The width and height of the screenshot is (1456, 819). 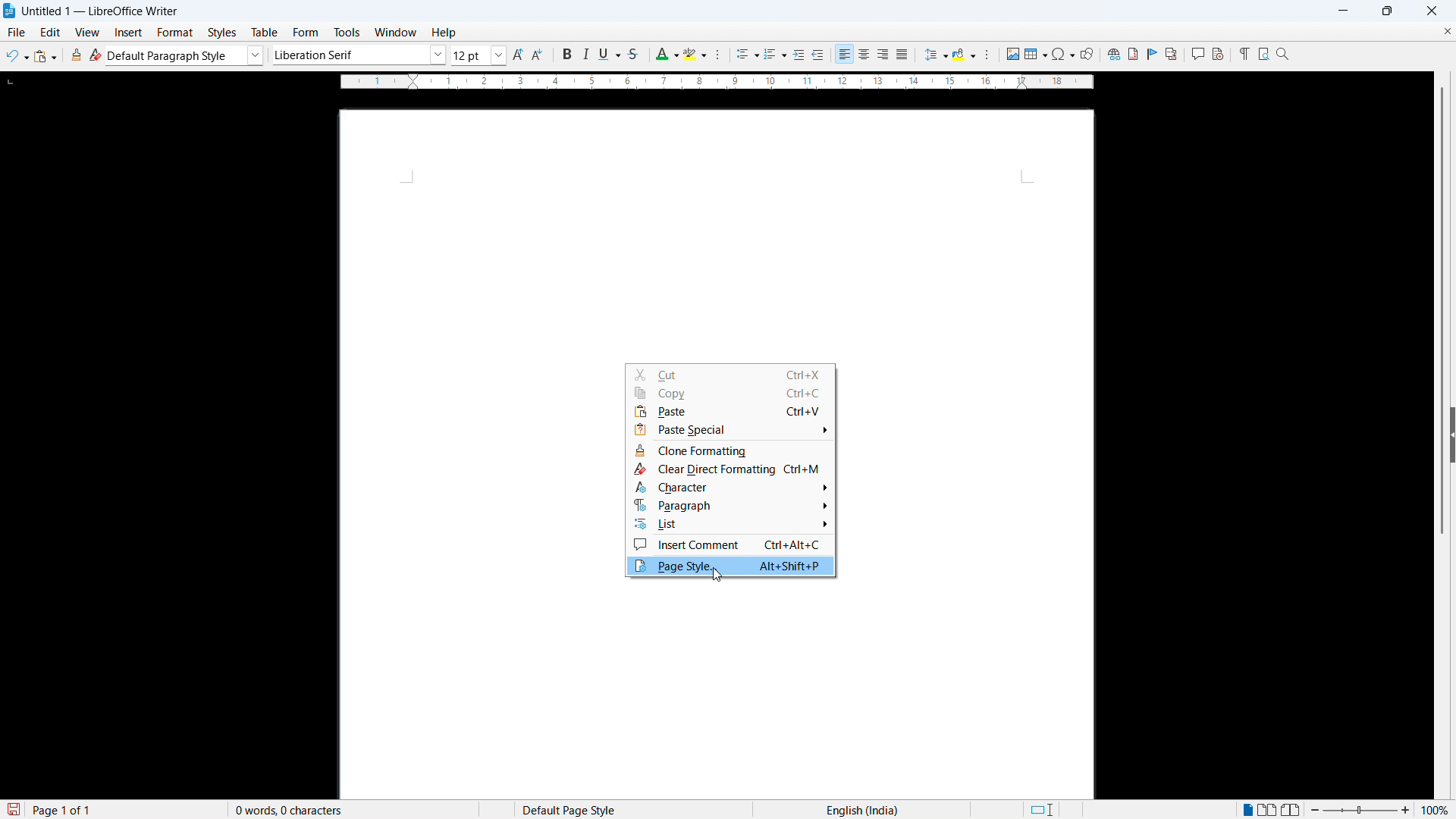 I want to click on Clone formatting , so click(x=730, y=450).